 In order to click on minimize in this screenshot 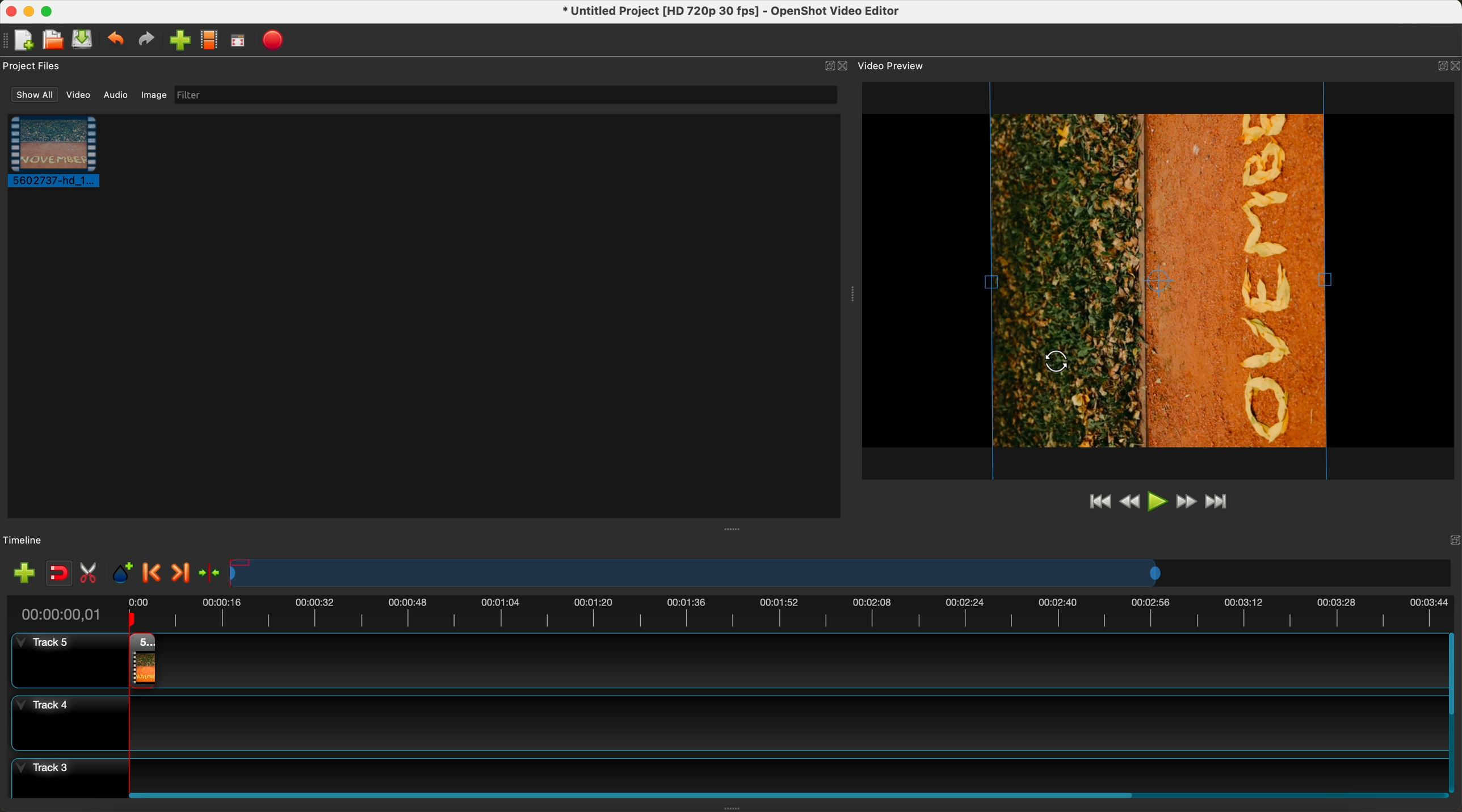, I will do `click(823, 67)`.